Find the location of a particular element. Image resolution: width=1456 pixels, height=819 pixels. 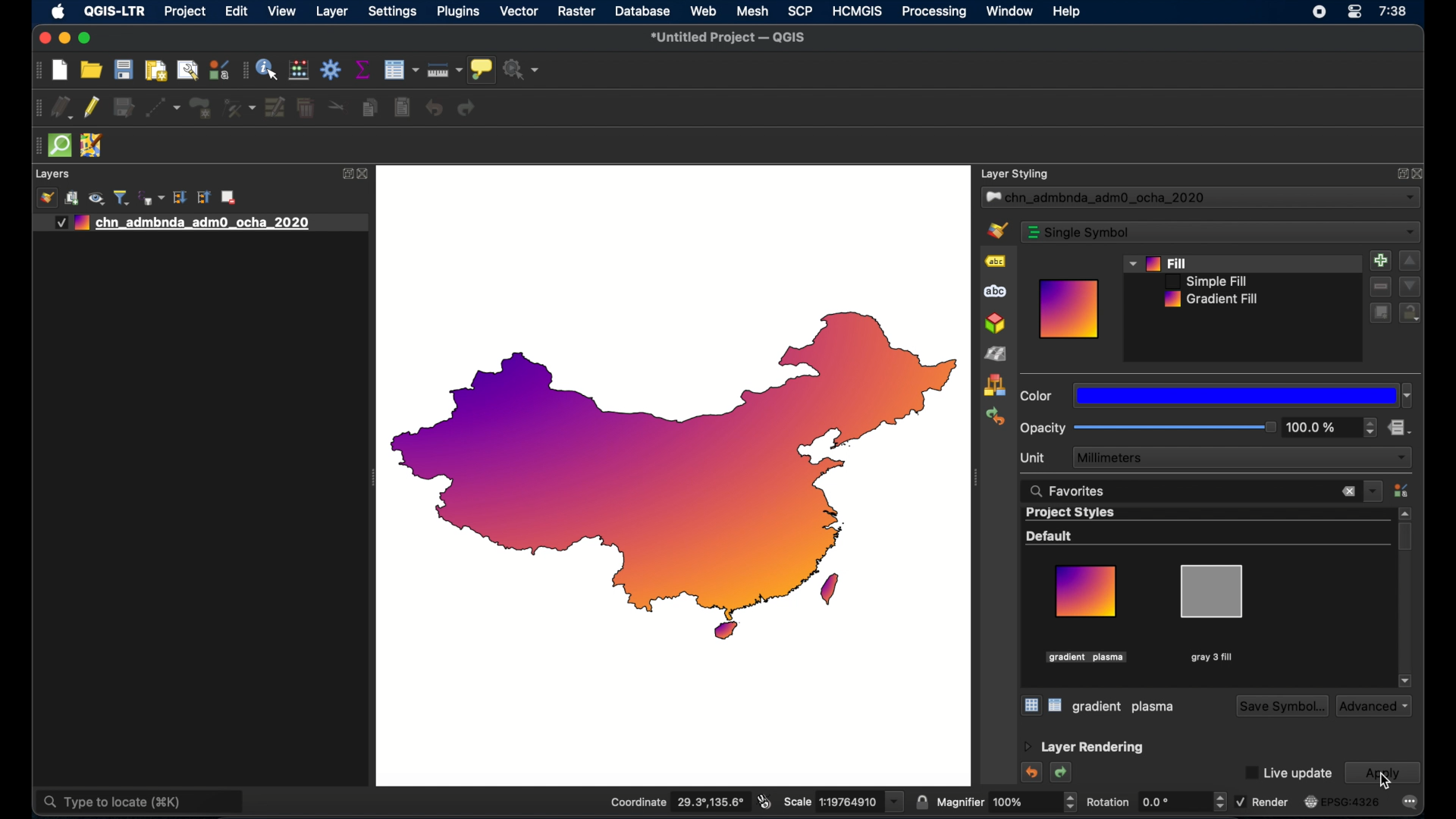

jsom remote is located at coordinates (93, 145).